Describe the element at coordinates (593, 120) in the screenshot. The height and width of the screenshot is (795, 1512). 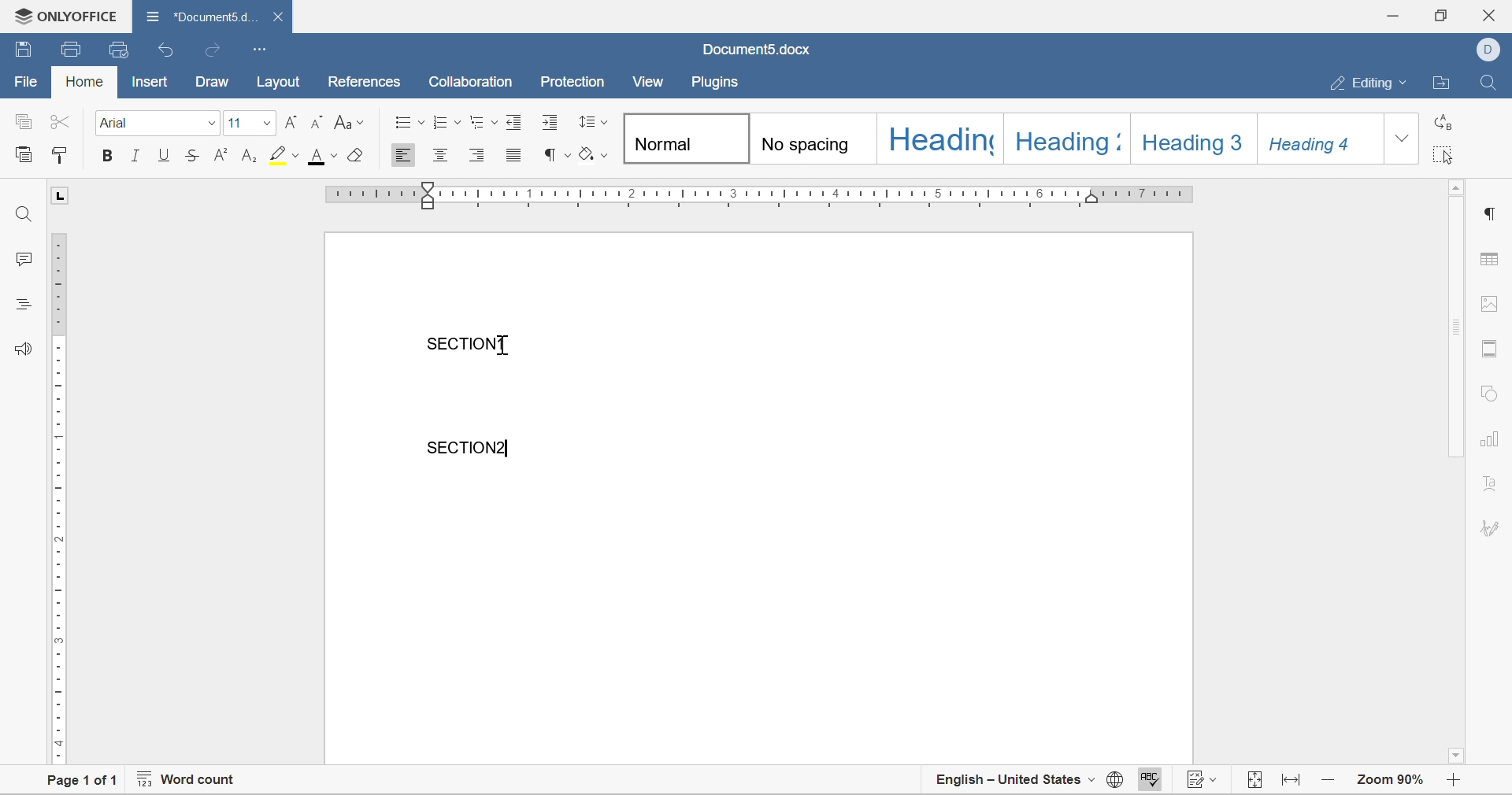
I see `line spacing` at that location.